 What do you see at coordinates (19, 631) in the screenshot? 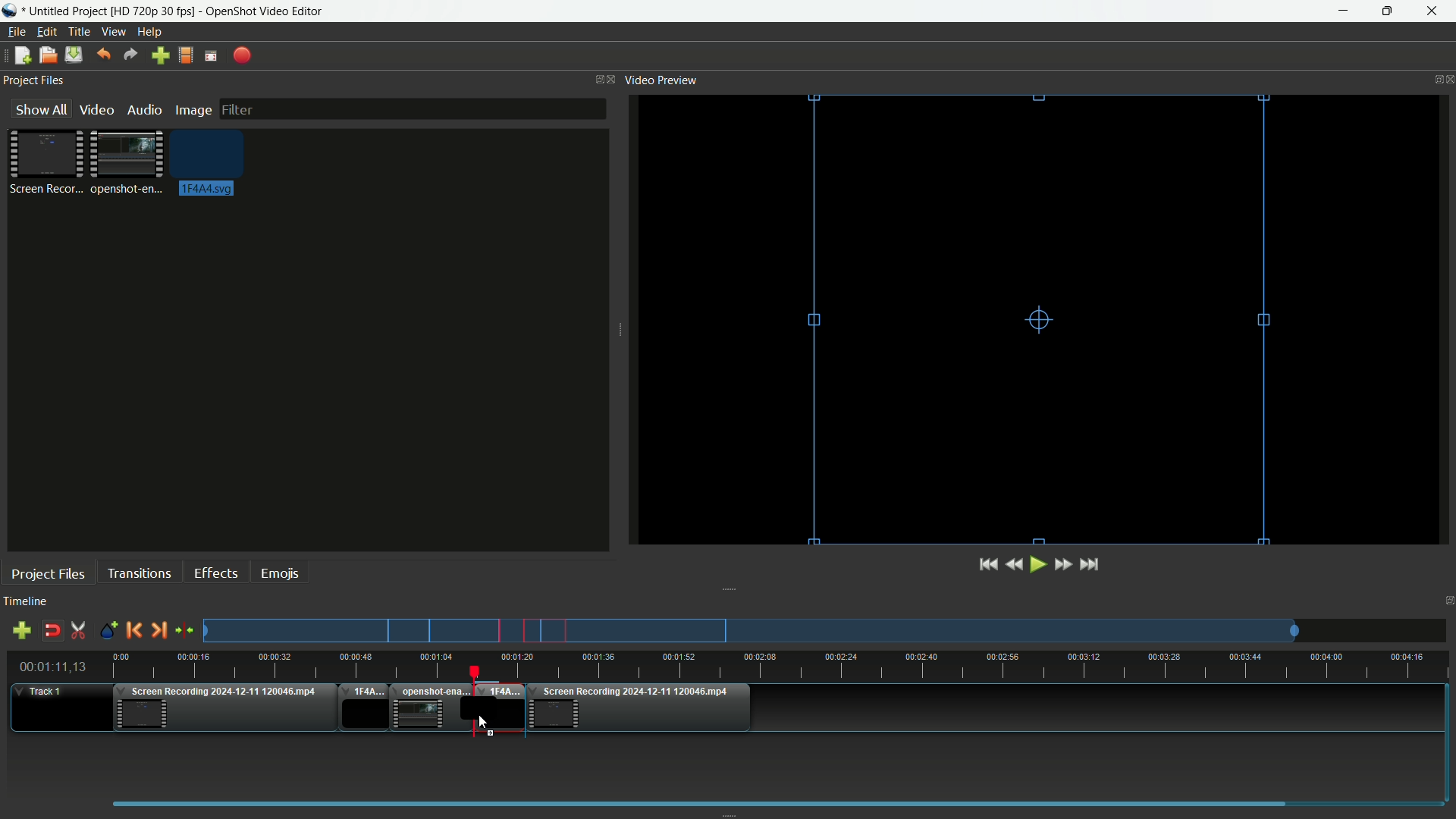
I see `add track` at bounding box center [19, 631].